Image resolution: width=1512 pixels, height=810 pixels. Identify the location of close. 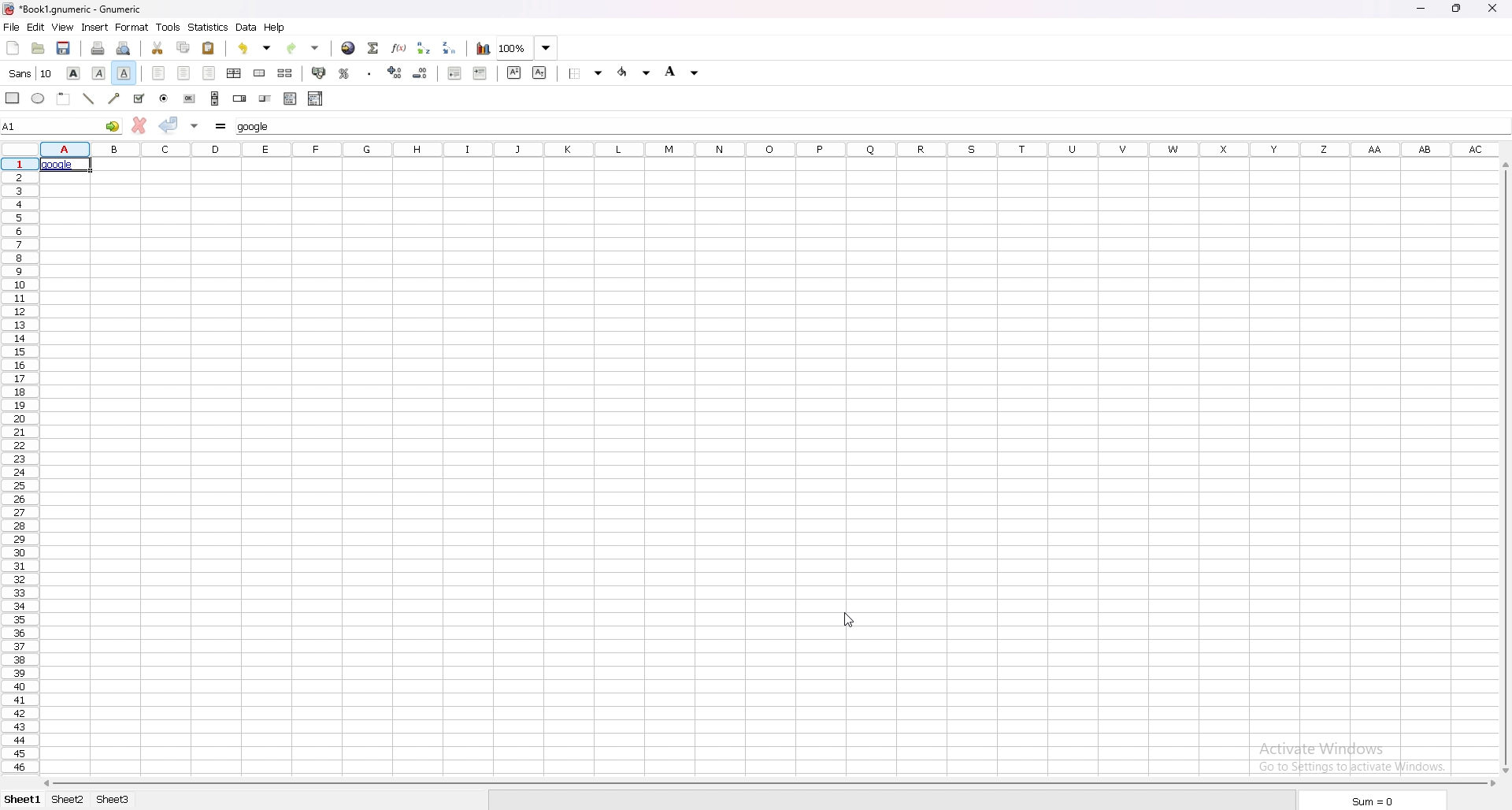
(1492, 9).